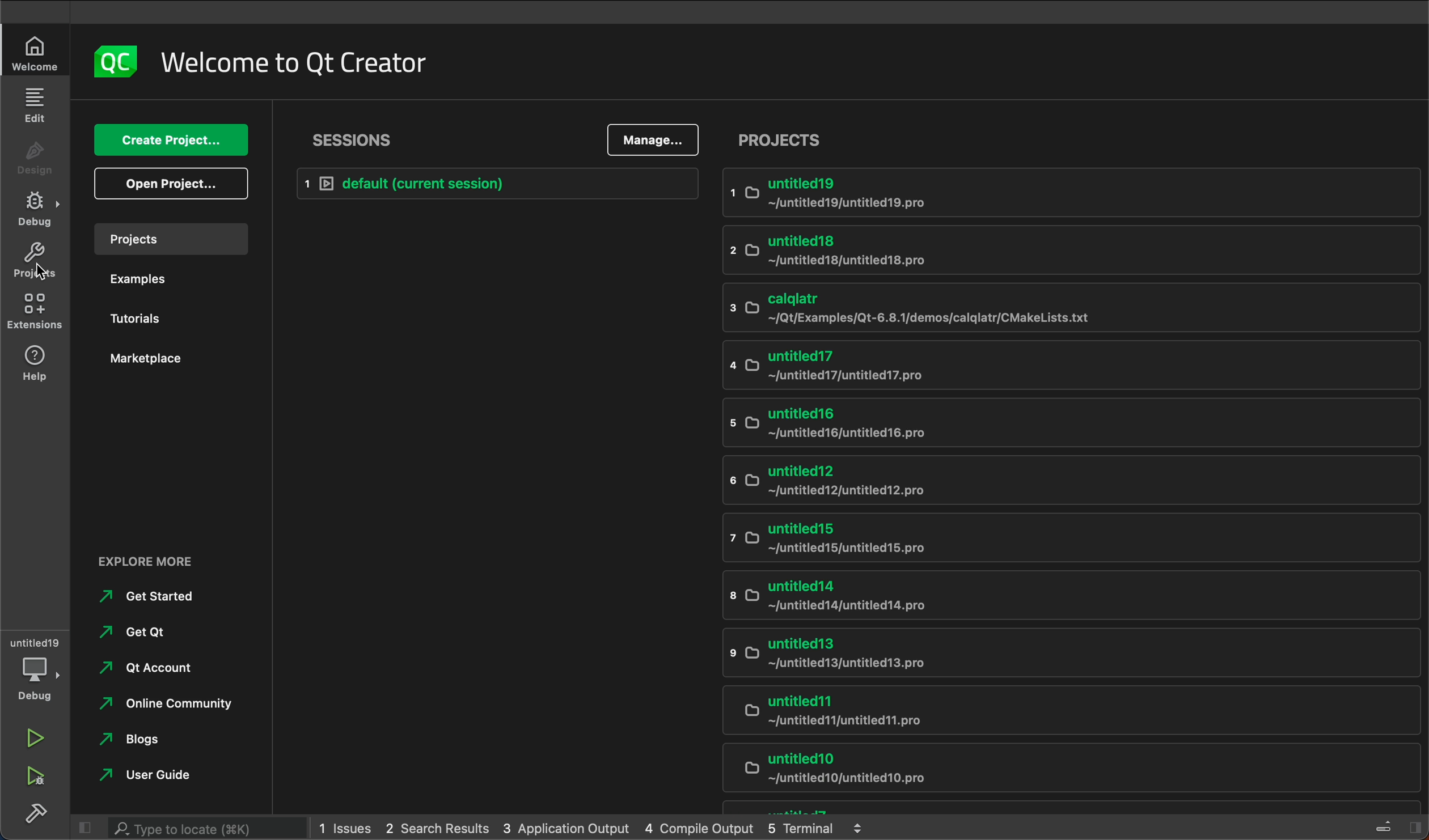 The height and width of the screenshot is (840, 1429). Describe the element at coordinates (34, 311) in the screenshot. I see `extensions` at that location.